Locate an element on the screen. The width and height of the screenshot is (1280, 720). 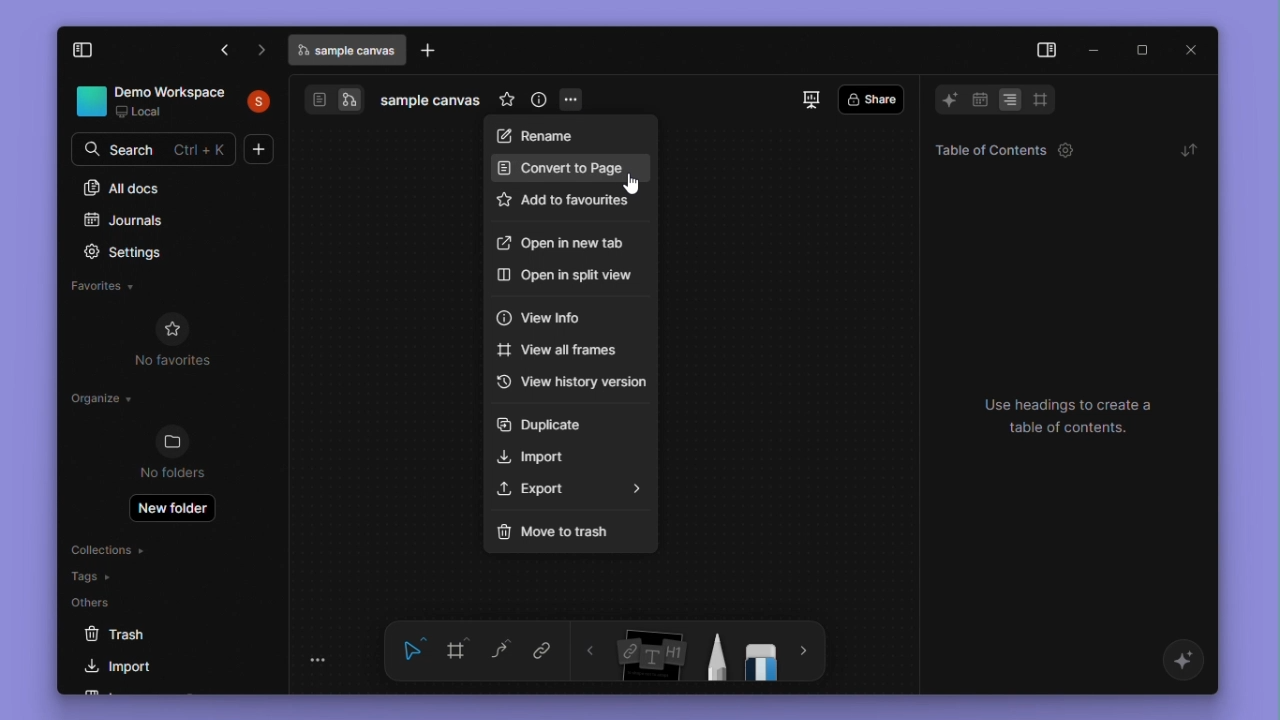
All dogs is located at coordinates (123, 188).